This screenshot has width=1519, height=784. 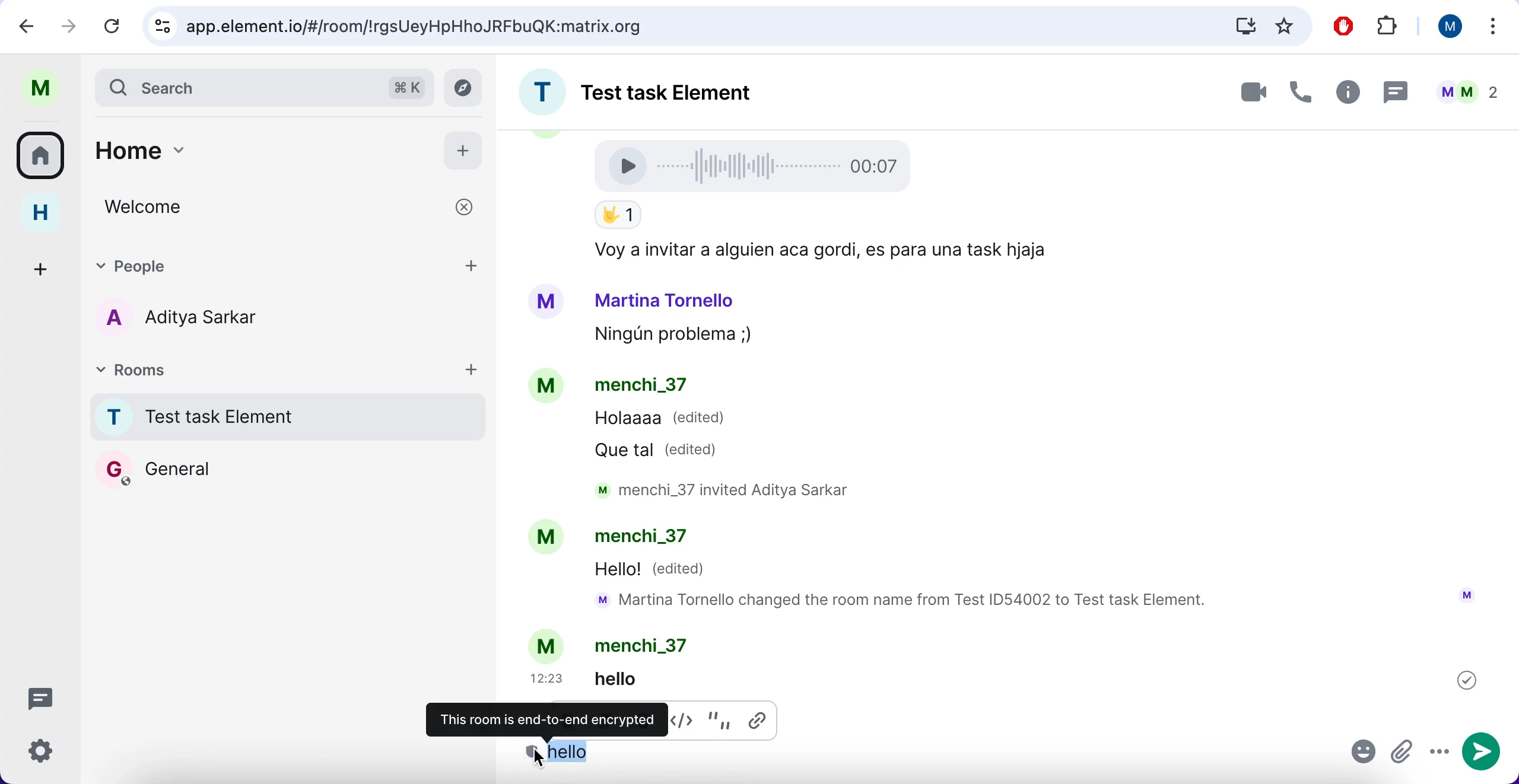 I want to click on add, so click(x=473, y=264).